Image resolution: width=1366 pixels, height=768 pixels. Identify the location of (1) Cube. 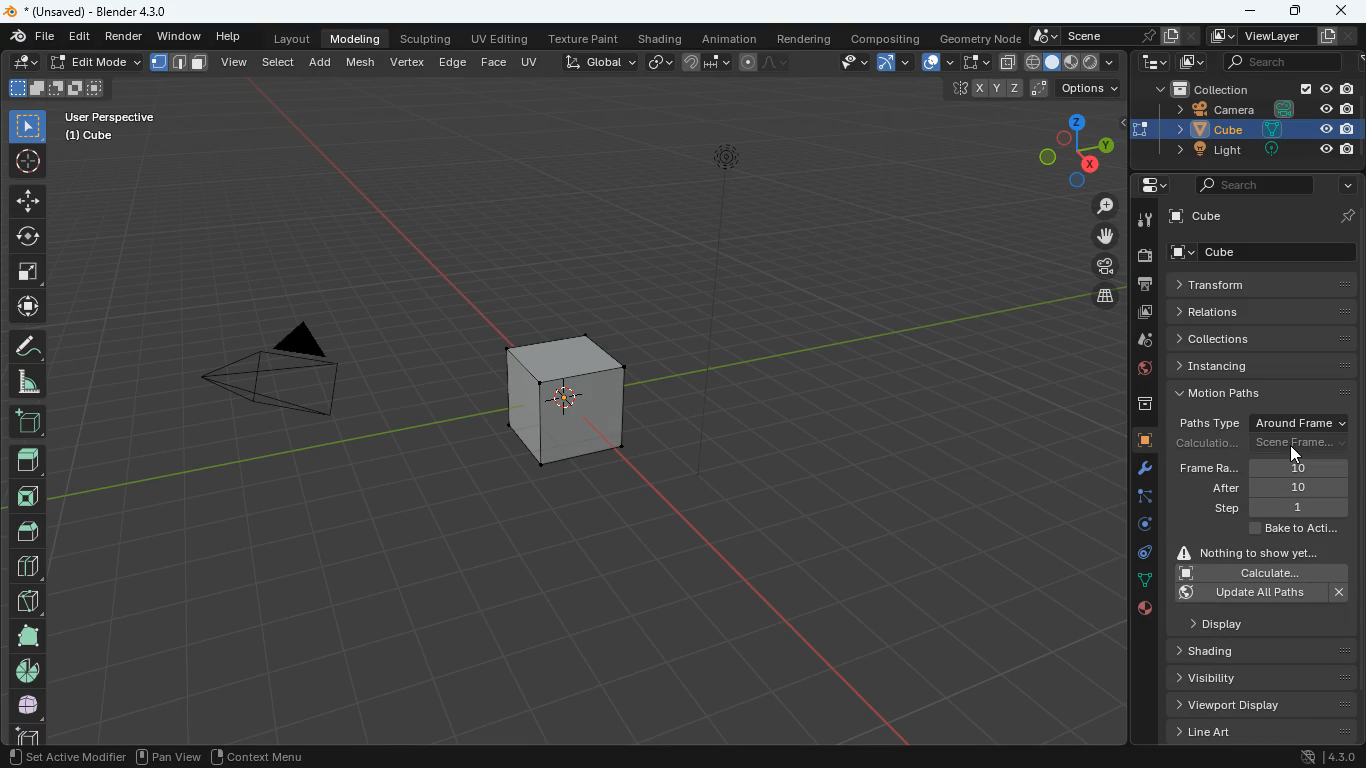
(85, 136).